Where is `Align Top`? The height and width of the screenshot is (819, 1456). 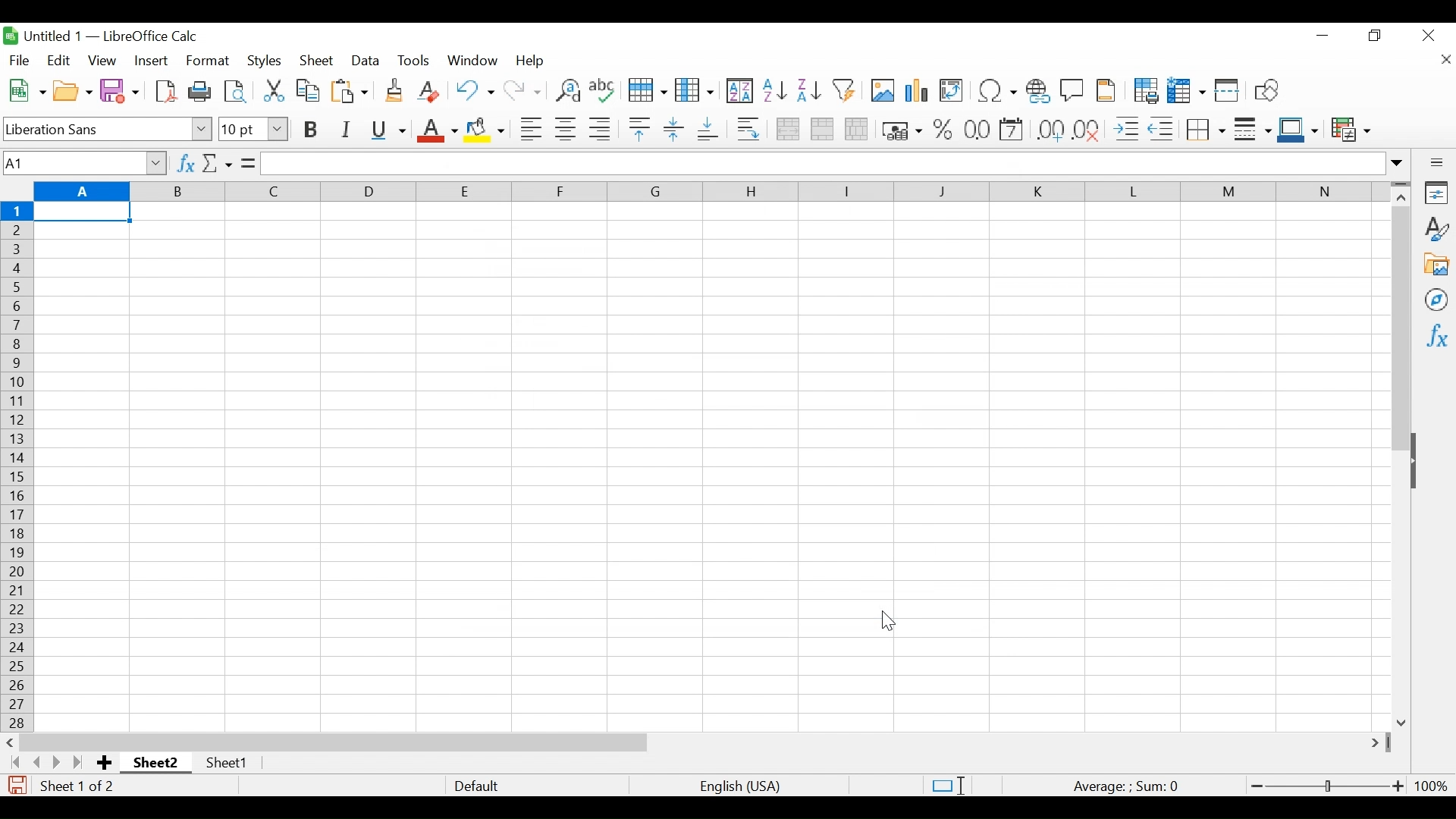 Align Top is located at coordinates (639, 129).